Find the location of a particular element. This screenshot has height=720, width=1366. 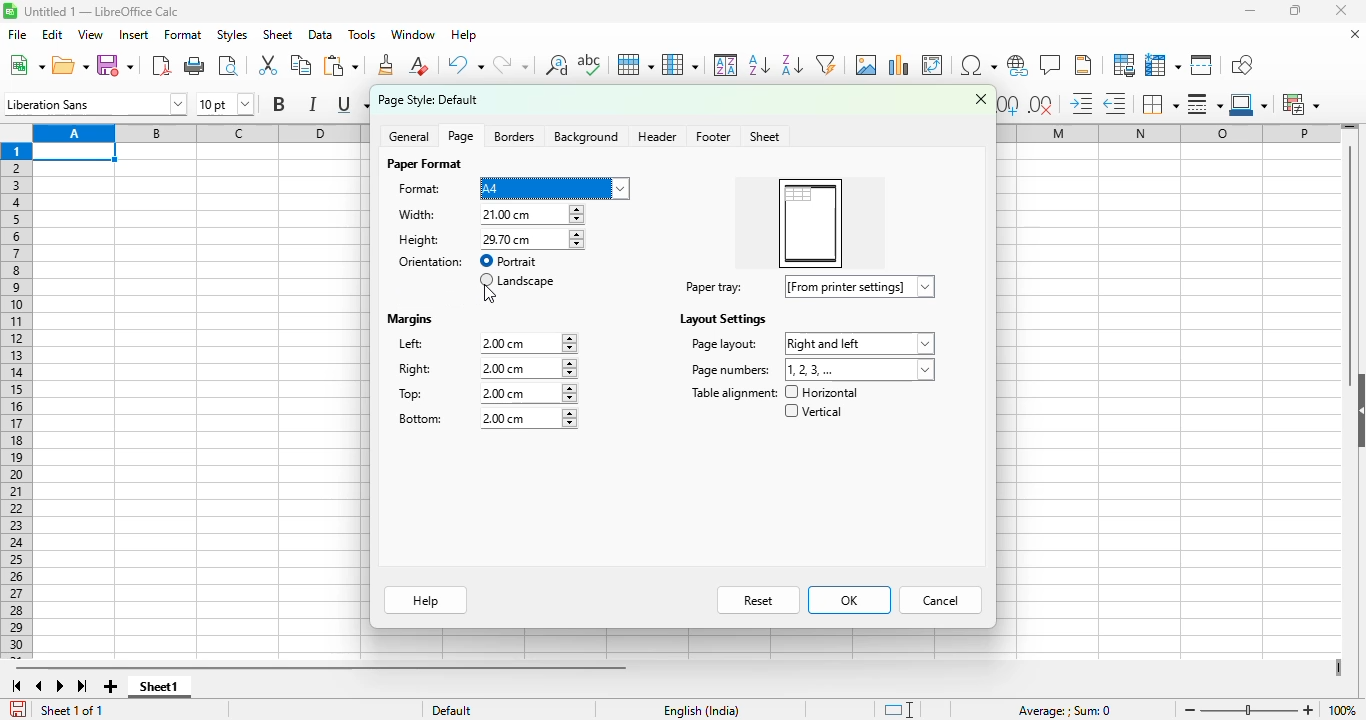

close is located at coordinates (1341, 10).